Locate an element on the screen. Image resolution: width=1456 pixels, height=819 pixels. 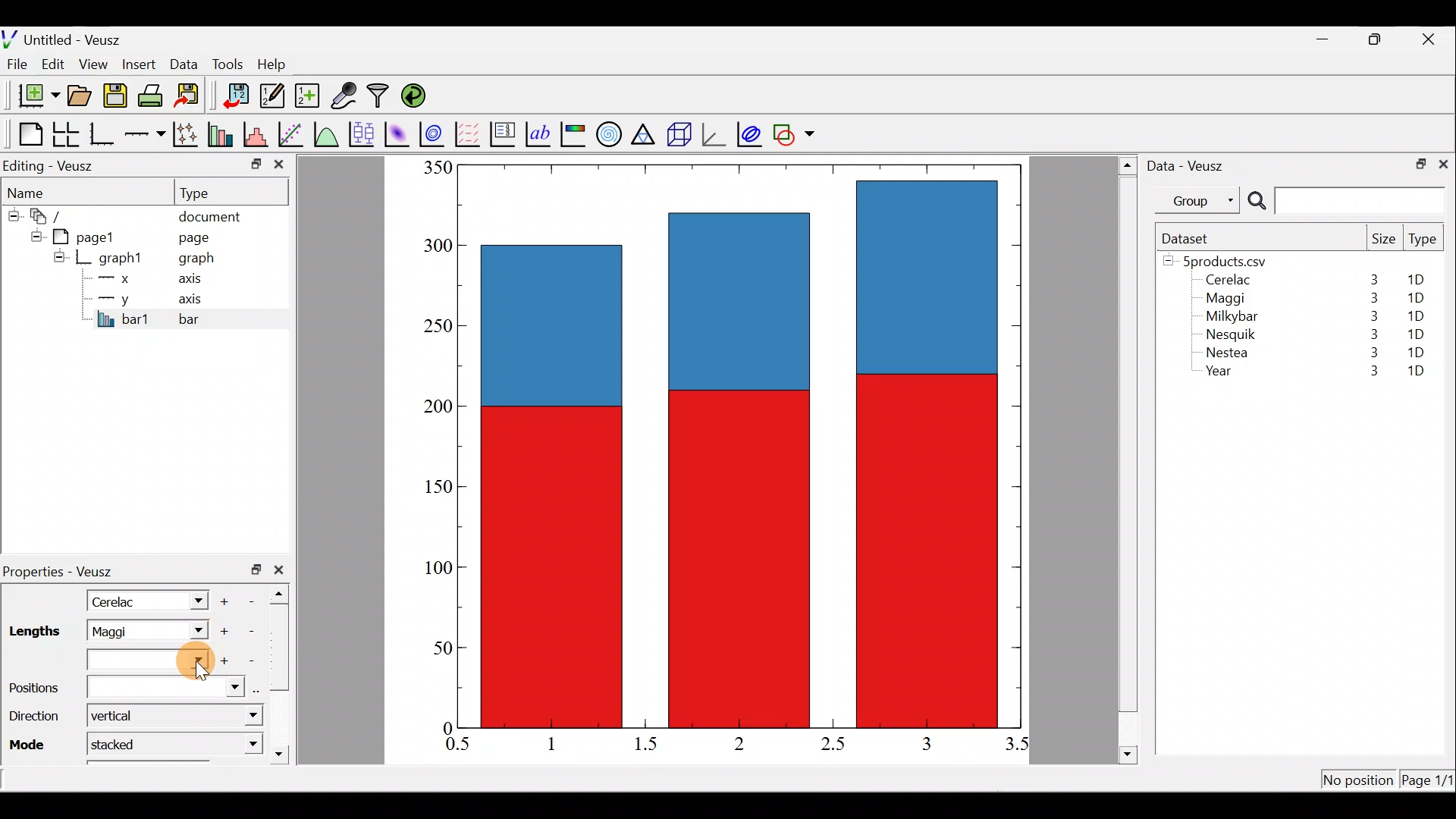
100 is located at coordinates (434, 569).